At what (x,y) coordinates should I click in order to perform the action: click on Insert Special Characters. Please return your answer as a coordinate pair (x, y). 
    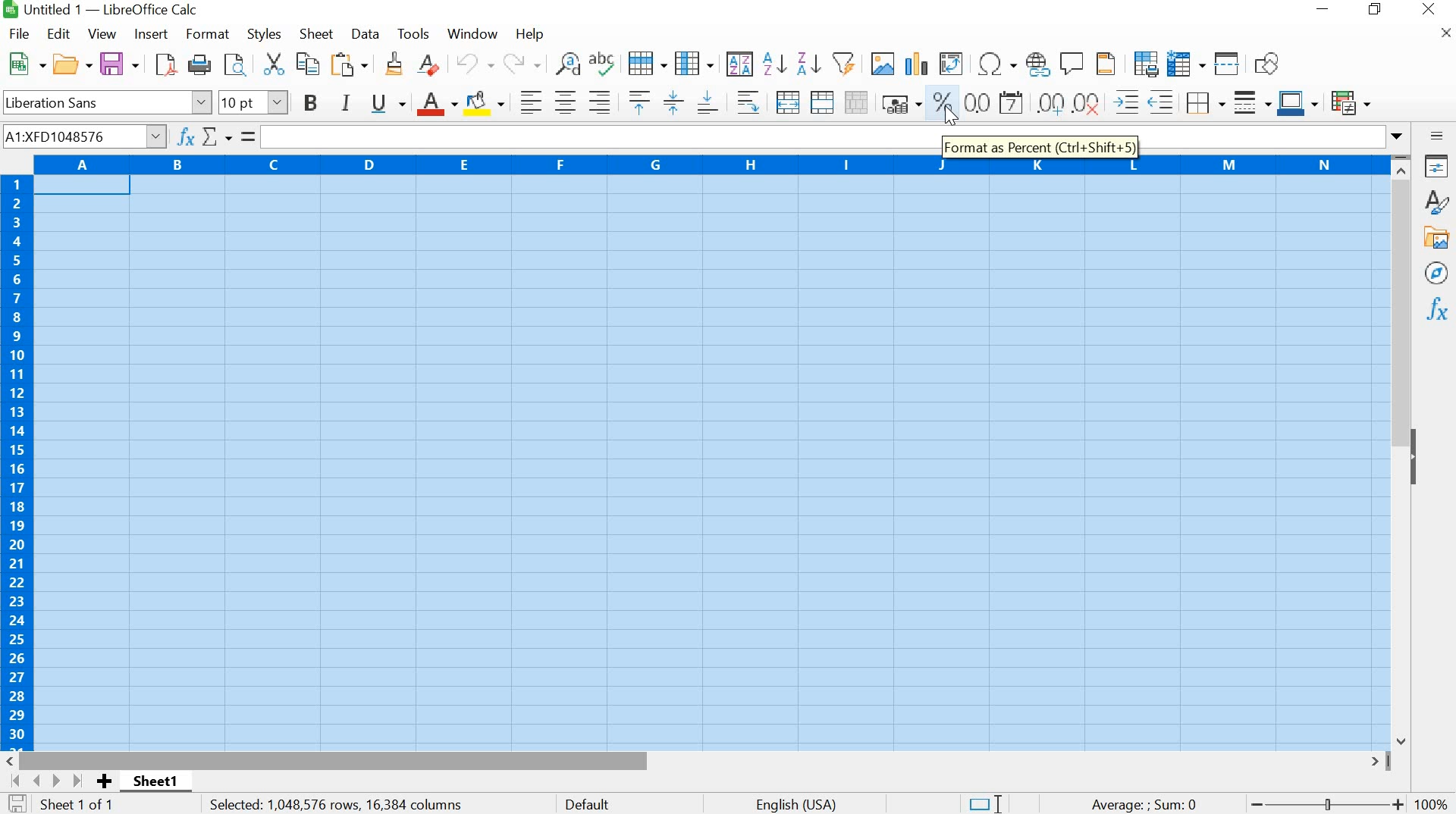
    Looking at the image, I should click on (996, 61).